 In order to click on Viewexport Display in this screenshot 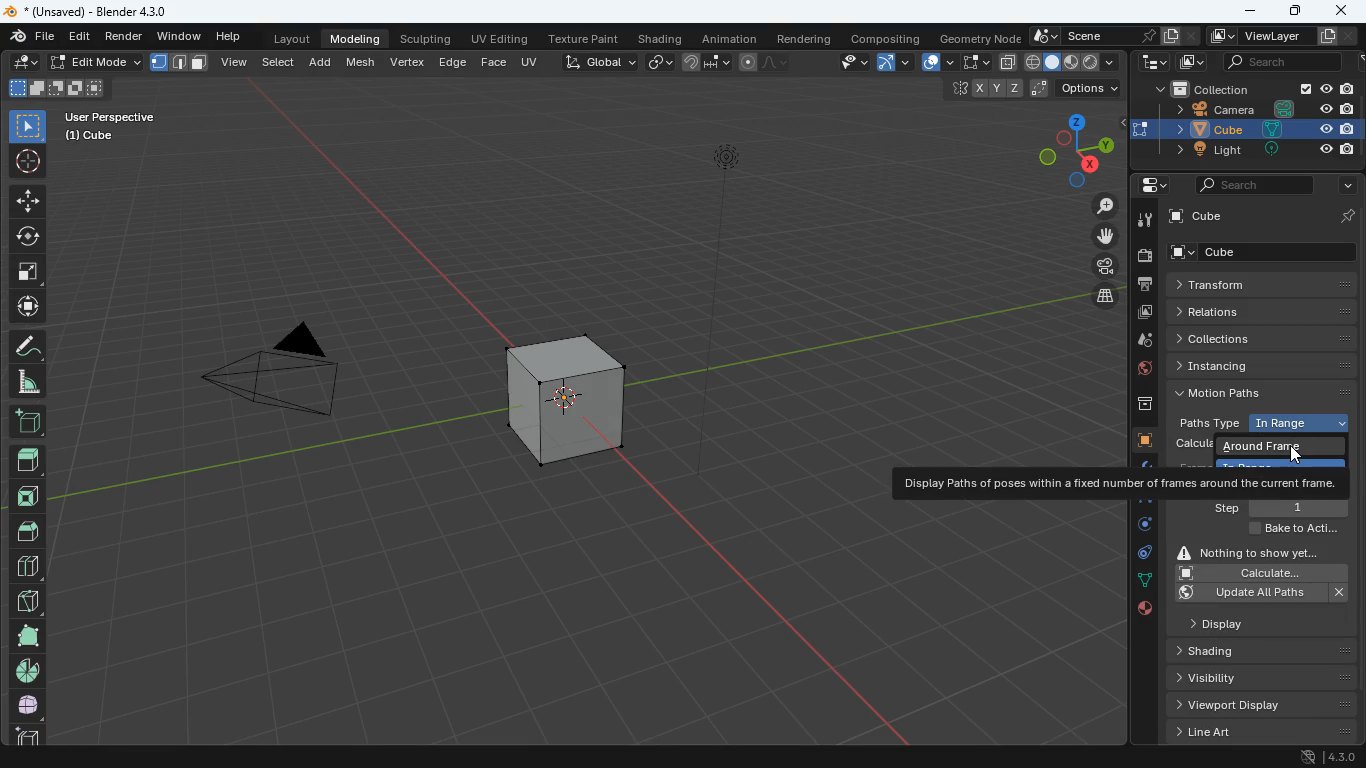, I will do `click(1254, 704)`.